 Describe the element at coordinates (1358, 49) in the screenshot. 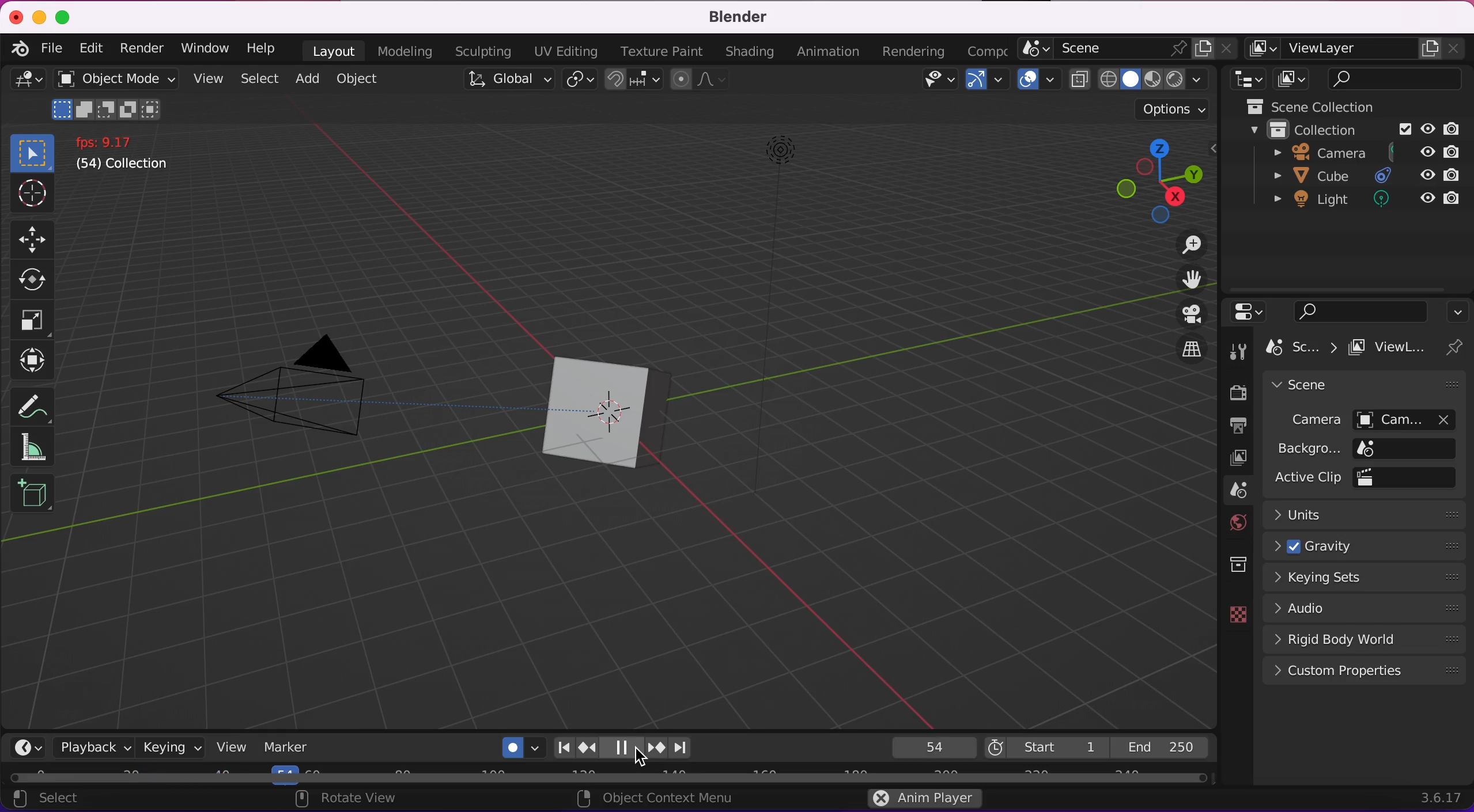

I see `viewlayer` at that location.